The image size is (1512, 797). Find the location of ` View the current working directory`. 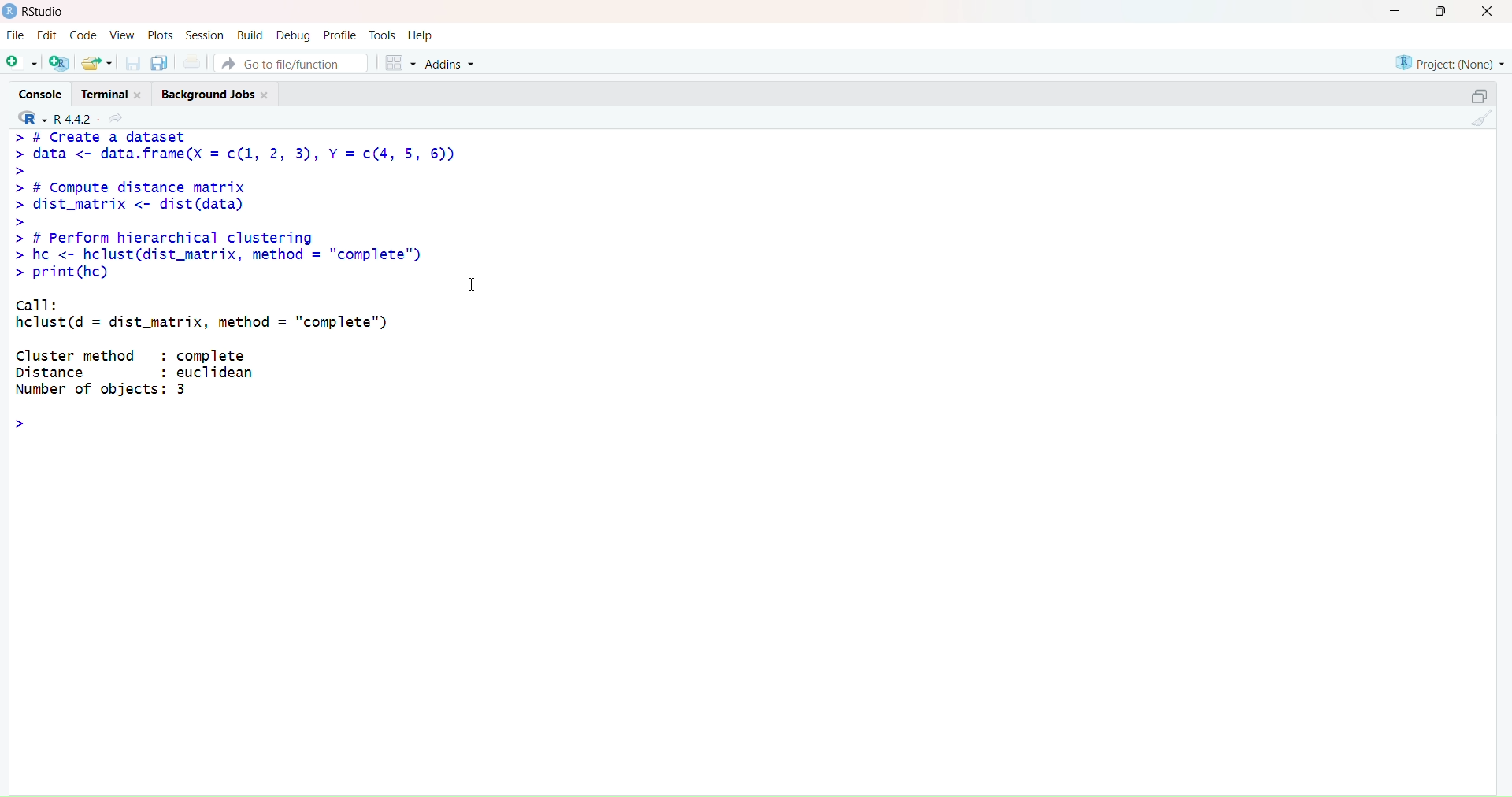

 View the current working directory is located at coordinates (120, 117).